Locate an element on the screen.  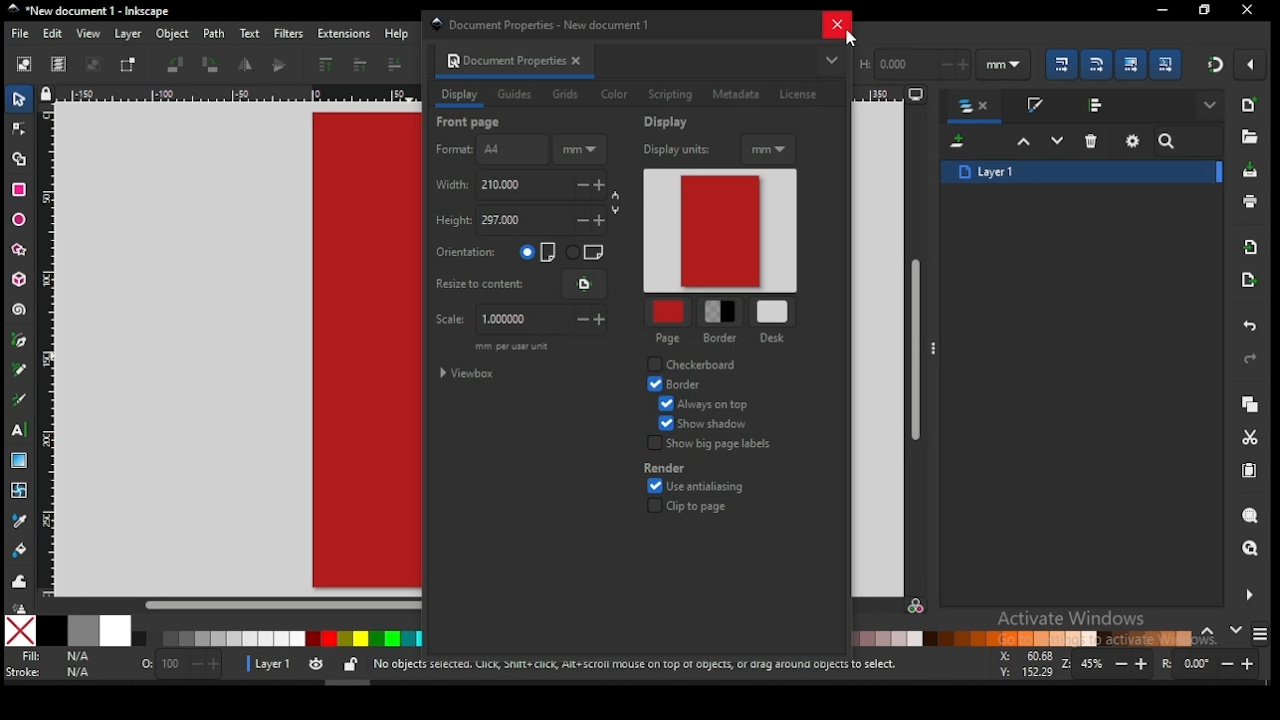
snap options is located at coordinates (1252, 64).